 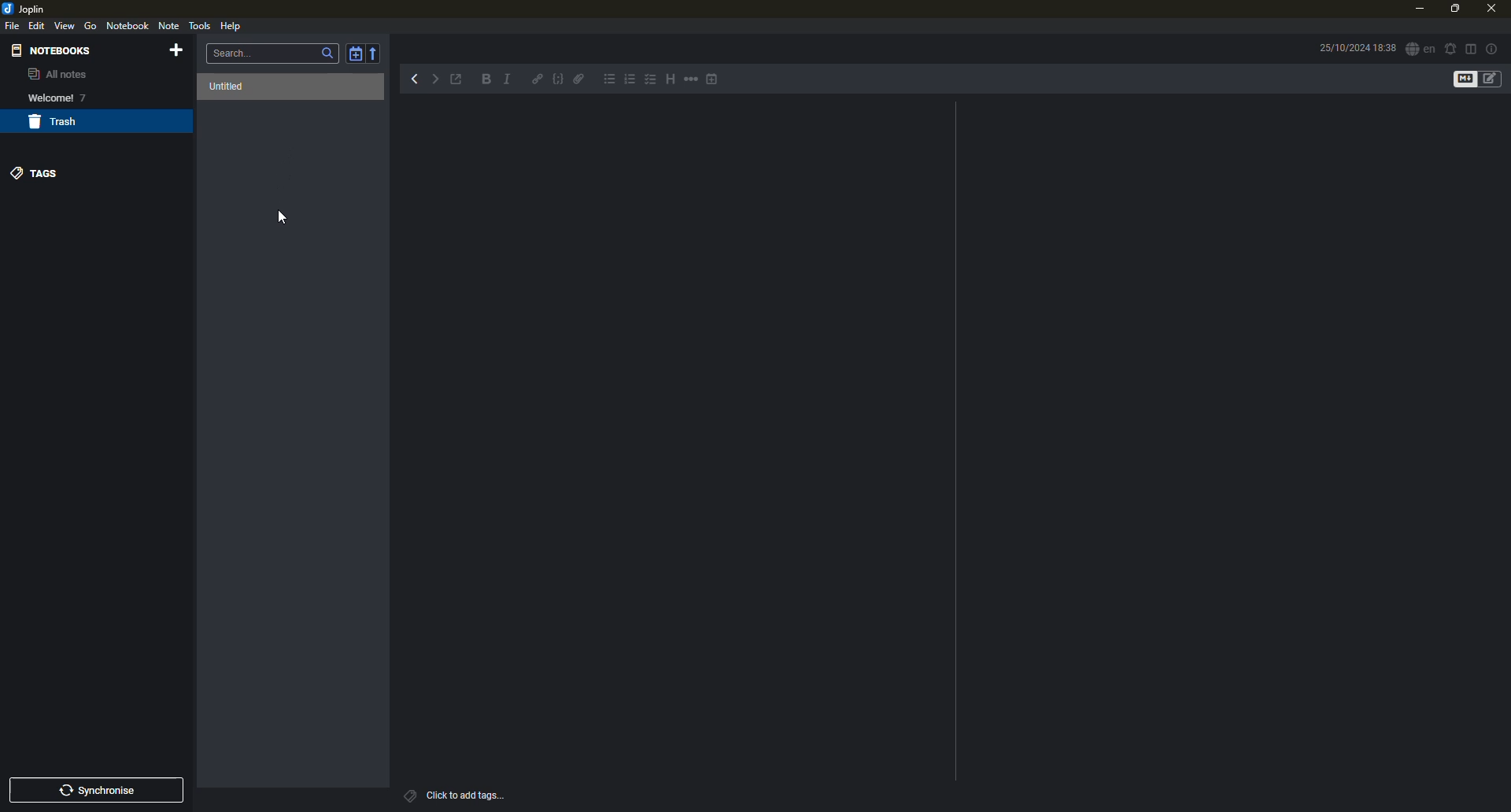 What do you see at coordinates (1461, 79) in the screenshot?
I see `toggle editors` at bounding box center [1461, 79].